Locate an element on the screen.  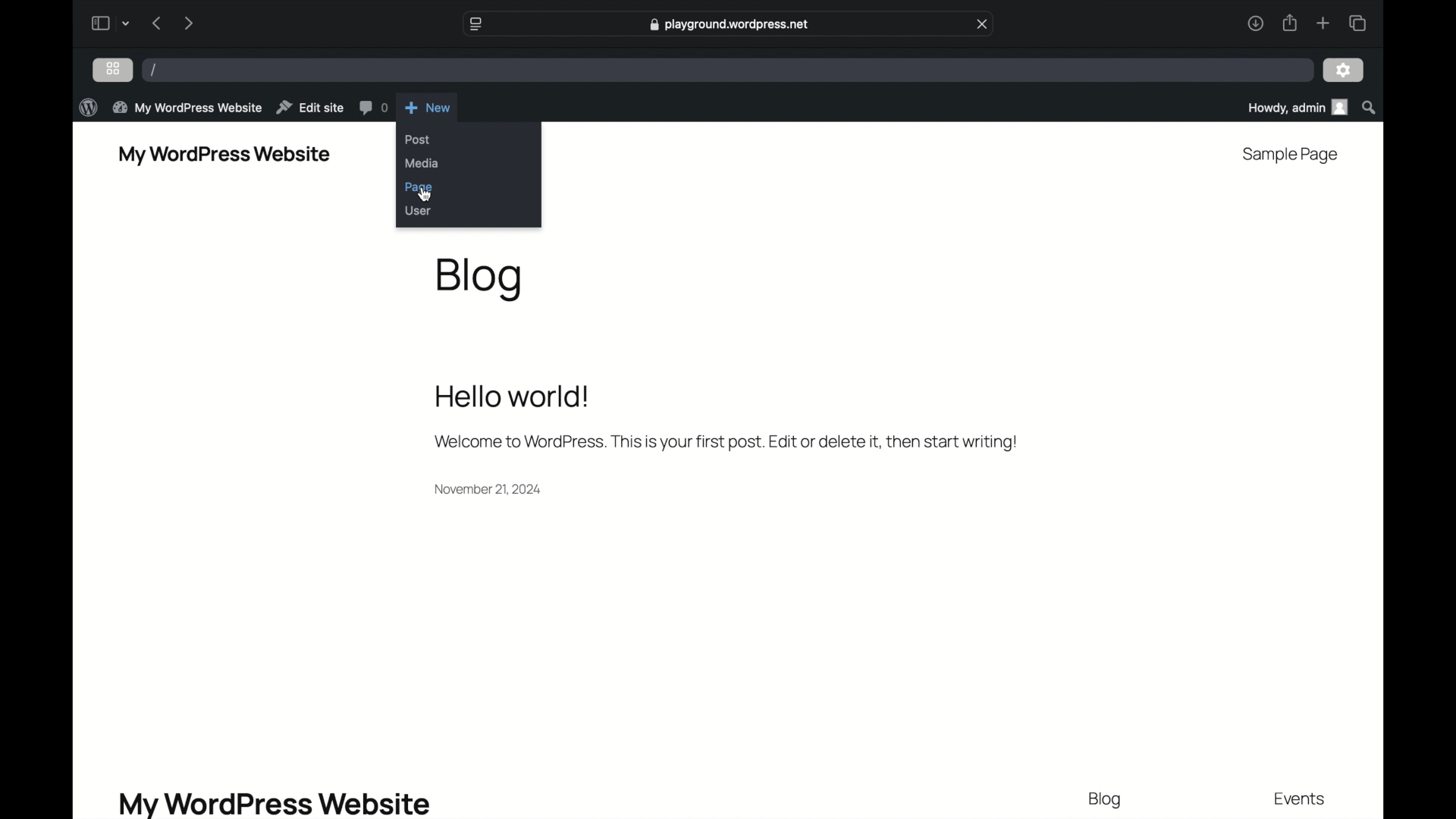
events is located at coordinates (1301, 800).